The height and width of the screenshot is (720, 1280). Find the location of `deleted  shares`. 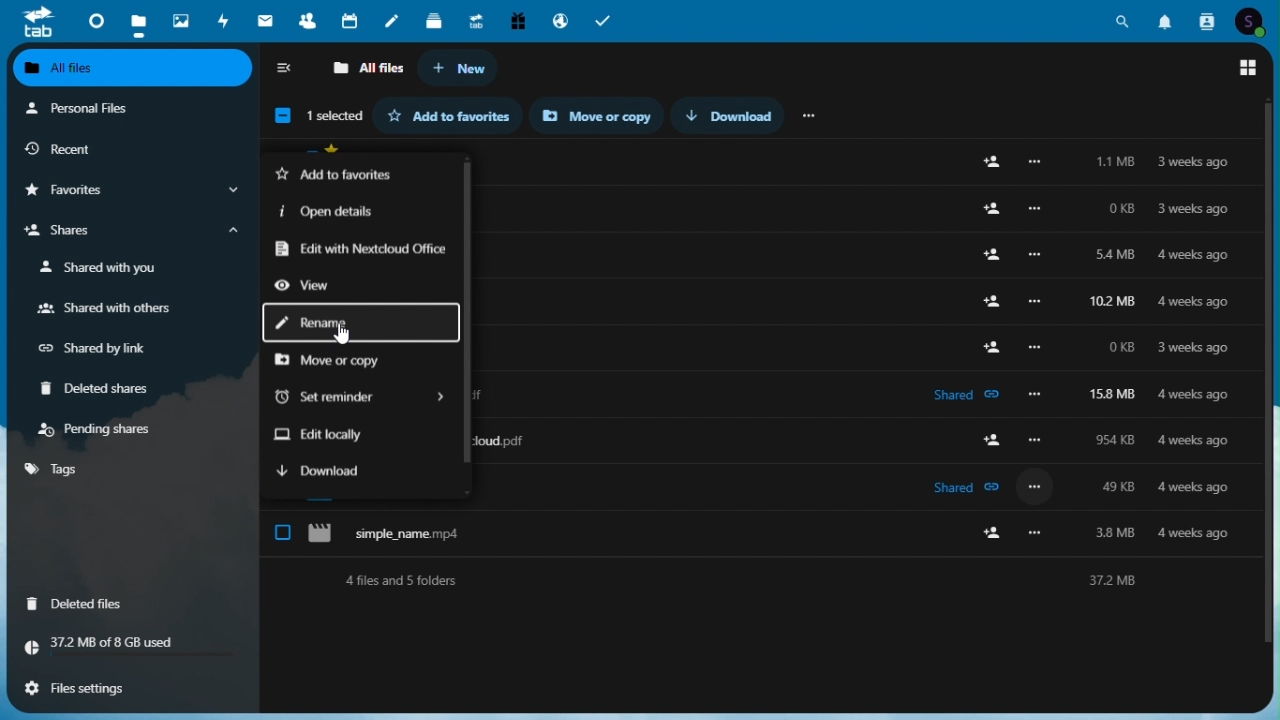

deleted  shares is located at coordinates (103, 390).